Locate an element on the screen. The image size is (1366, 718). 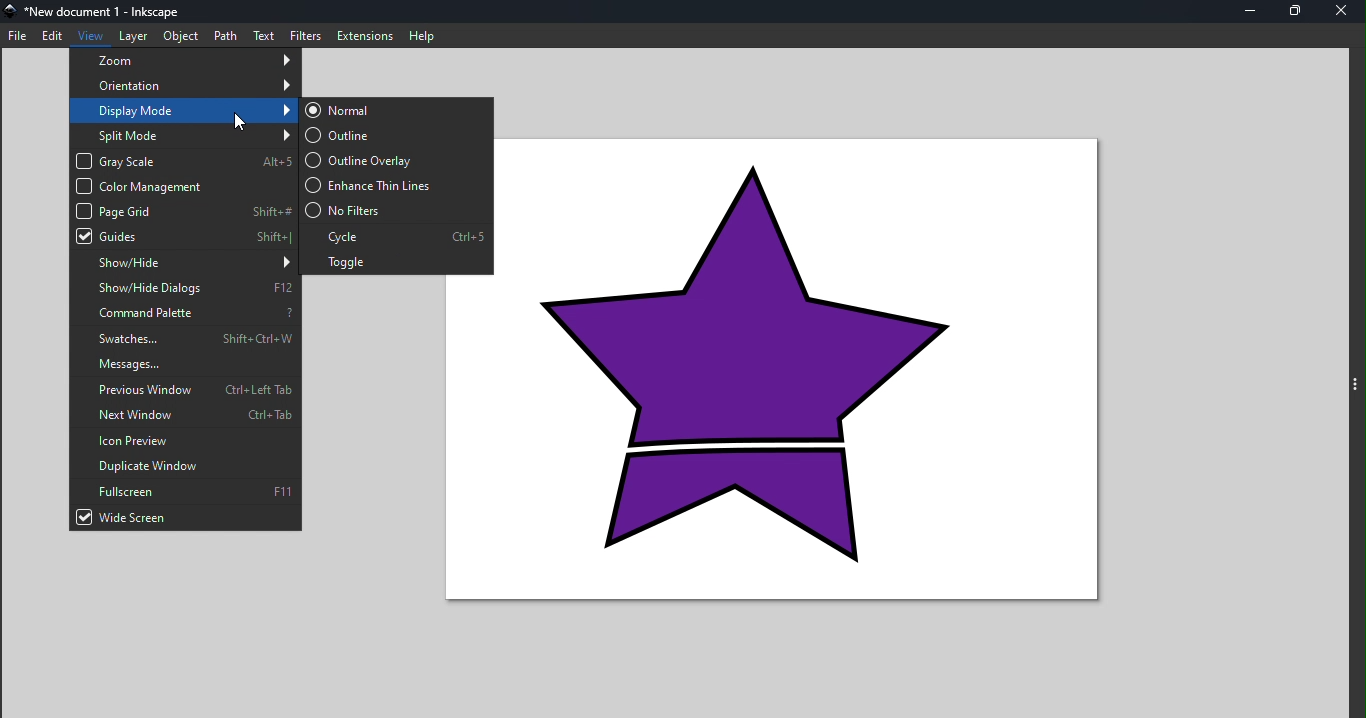
Normal is located at coordinates (395, 111).